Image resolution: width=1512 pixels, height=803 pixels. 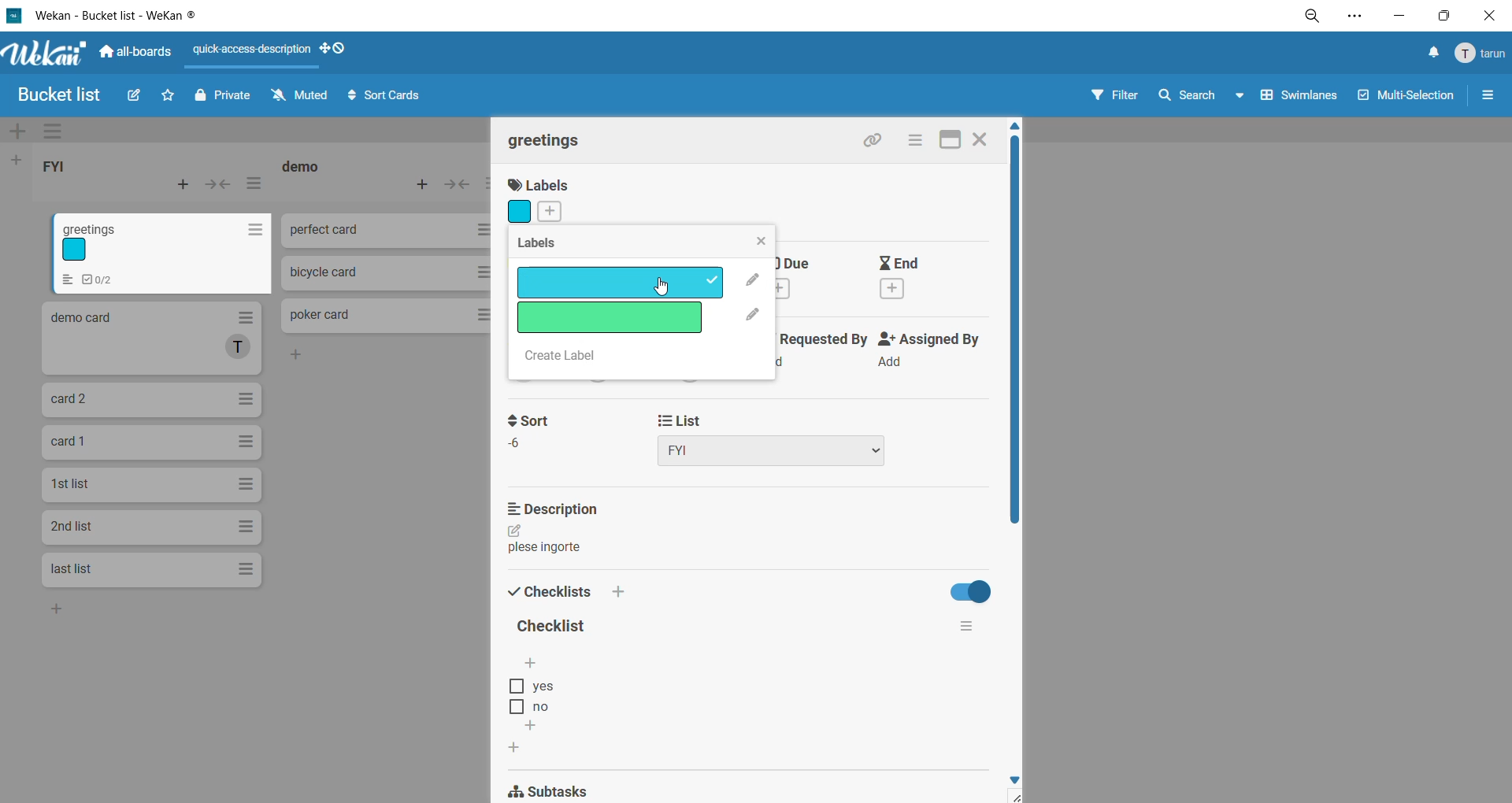 What do you see at coordinates (567, 360) in the screenshot?
I see `create label` at bounding box center [567, 360].